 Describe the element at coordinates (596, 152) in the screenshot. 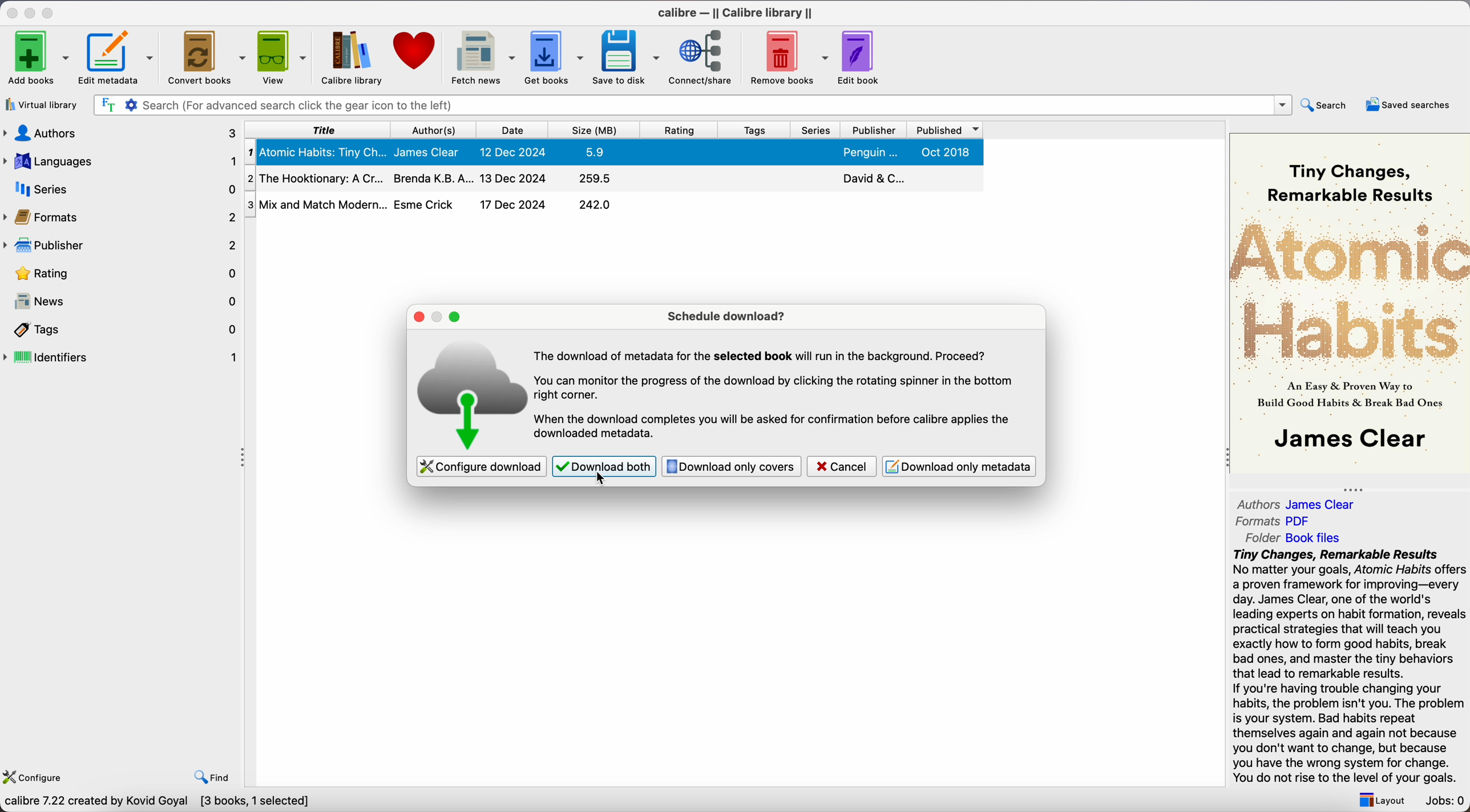

I see `5.9` at that location.